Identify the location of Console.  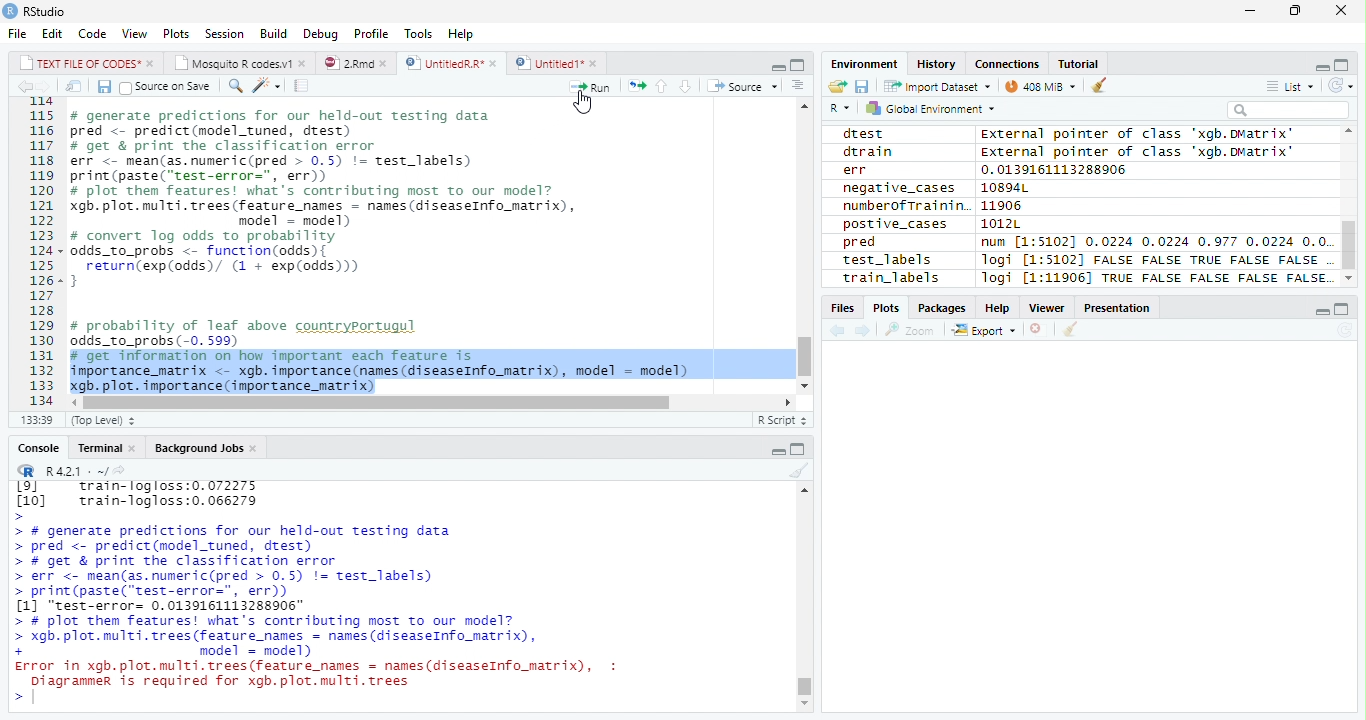
(39, 447).